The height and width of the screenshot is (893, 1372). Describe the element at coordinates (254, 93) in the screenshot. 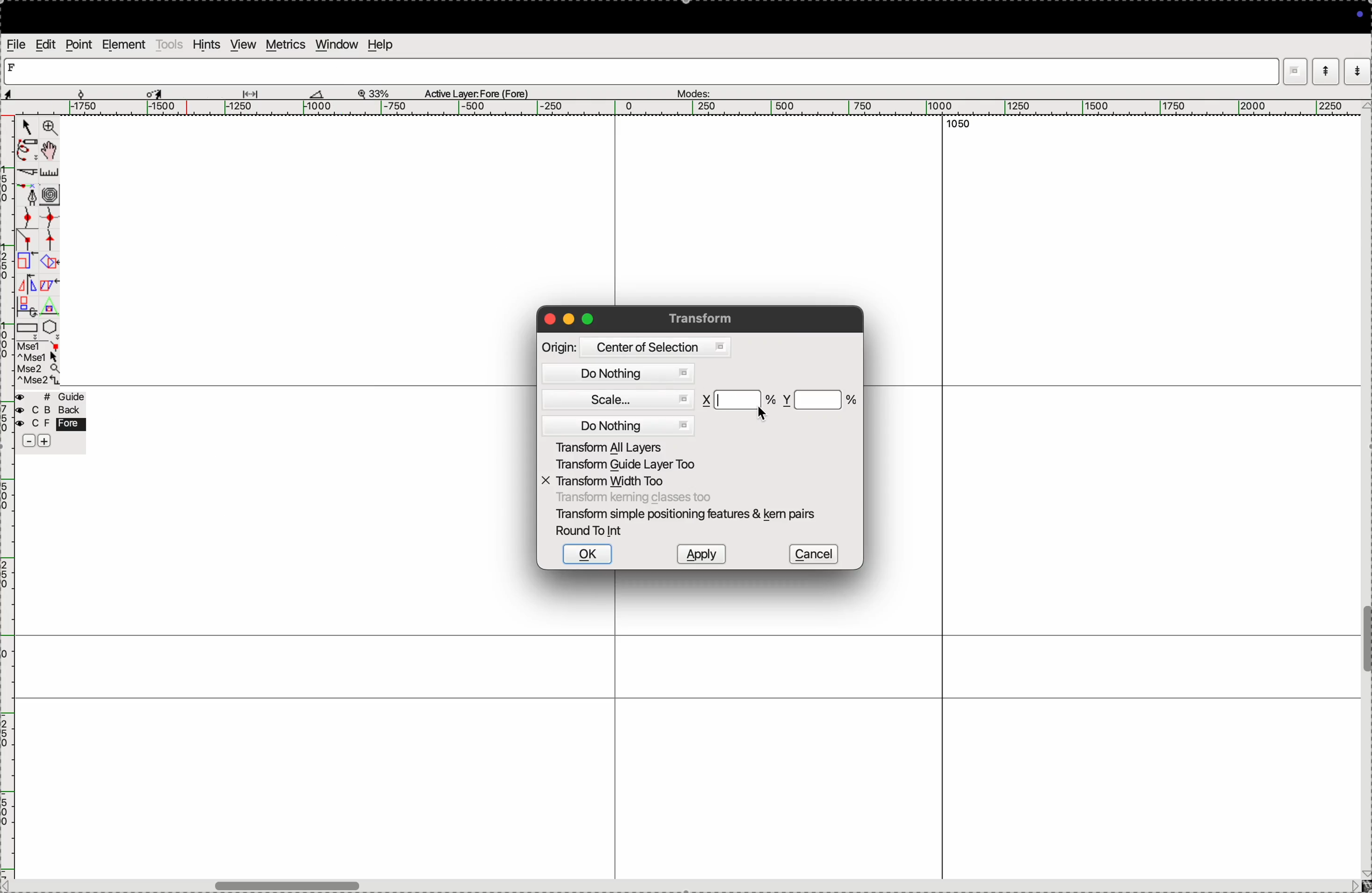

I see `glide` at that location.